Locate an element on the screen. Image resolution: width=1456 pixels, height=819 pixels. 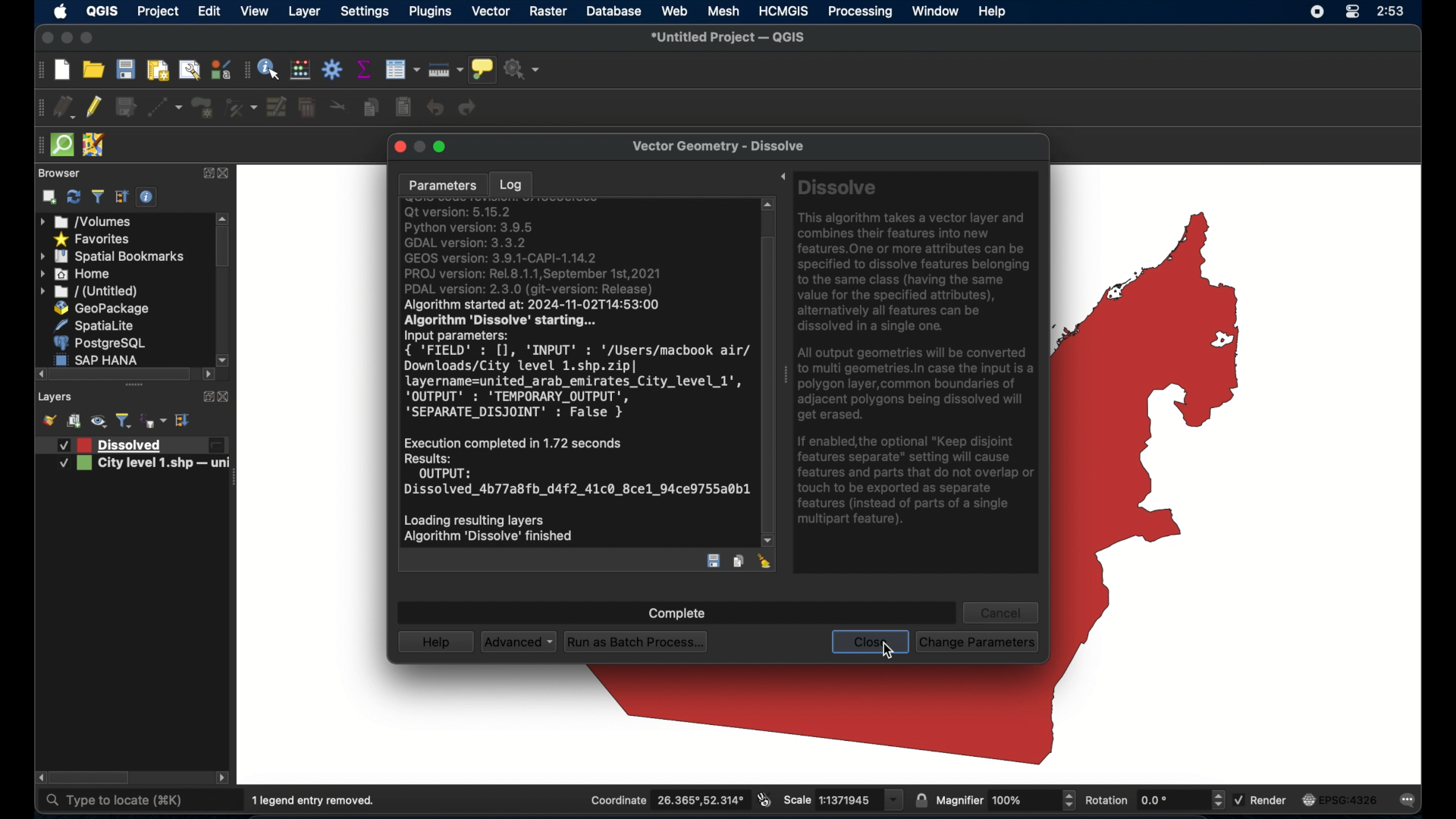
current crs is located at coordinates (1339, 799).